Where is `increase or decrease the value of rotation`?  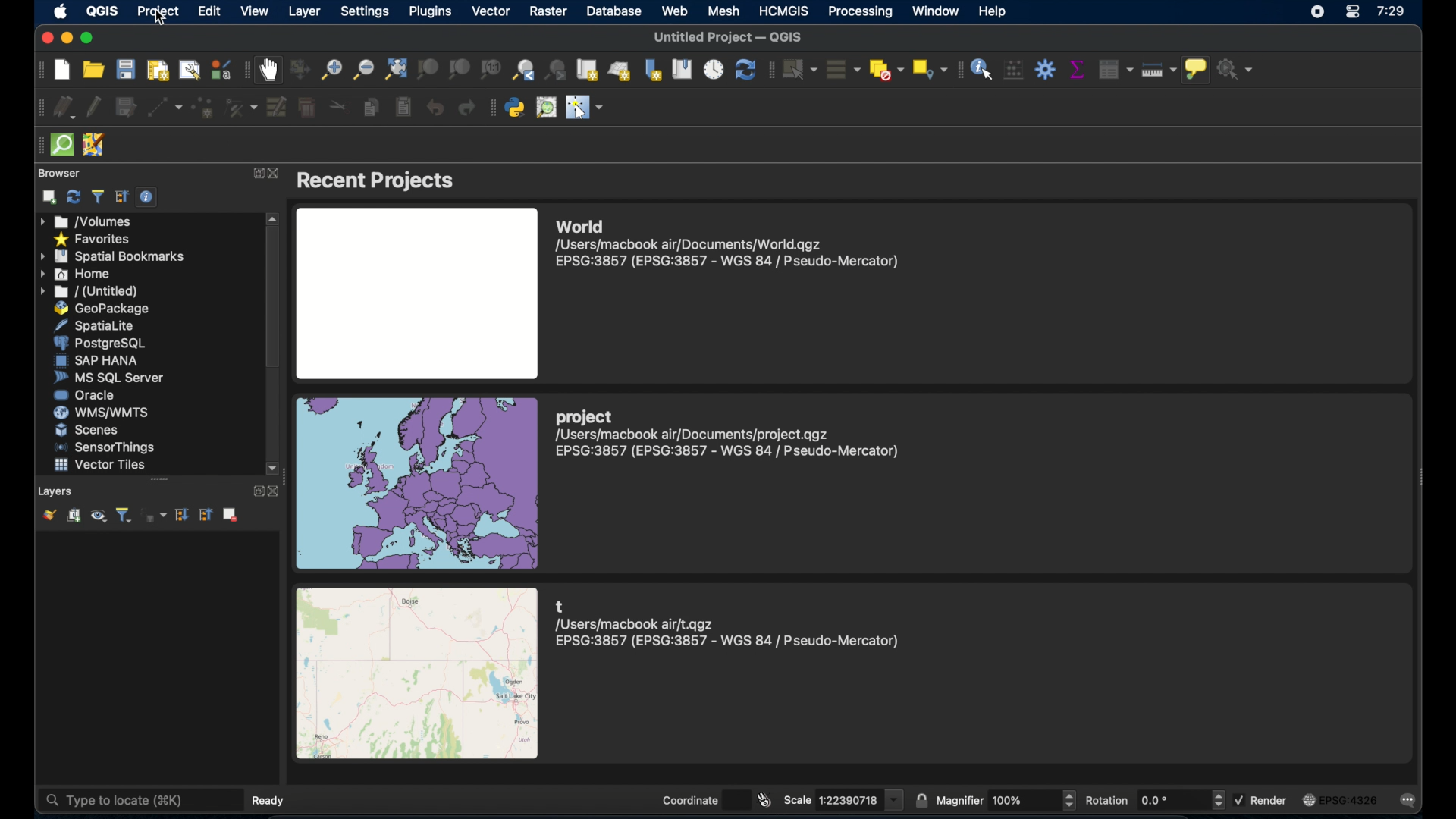 increase or decrease the value of rotation is located at coordinates (1219, 800).